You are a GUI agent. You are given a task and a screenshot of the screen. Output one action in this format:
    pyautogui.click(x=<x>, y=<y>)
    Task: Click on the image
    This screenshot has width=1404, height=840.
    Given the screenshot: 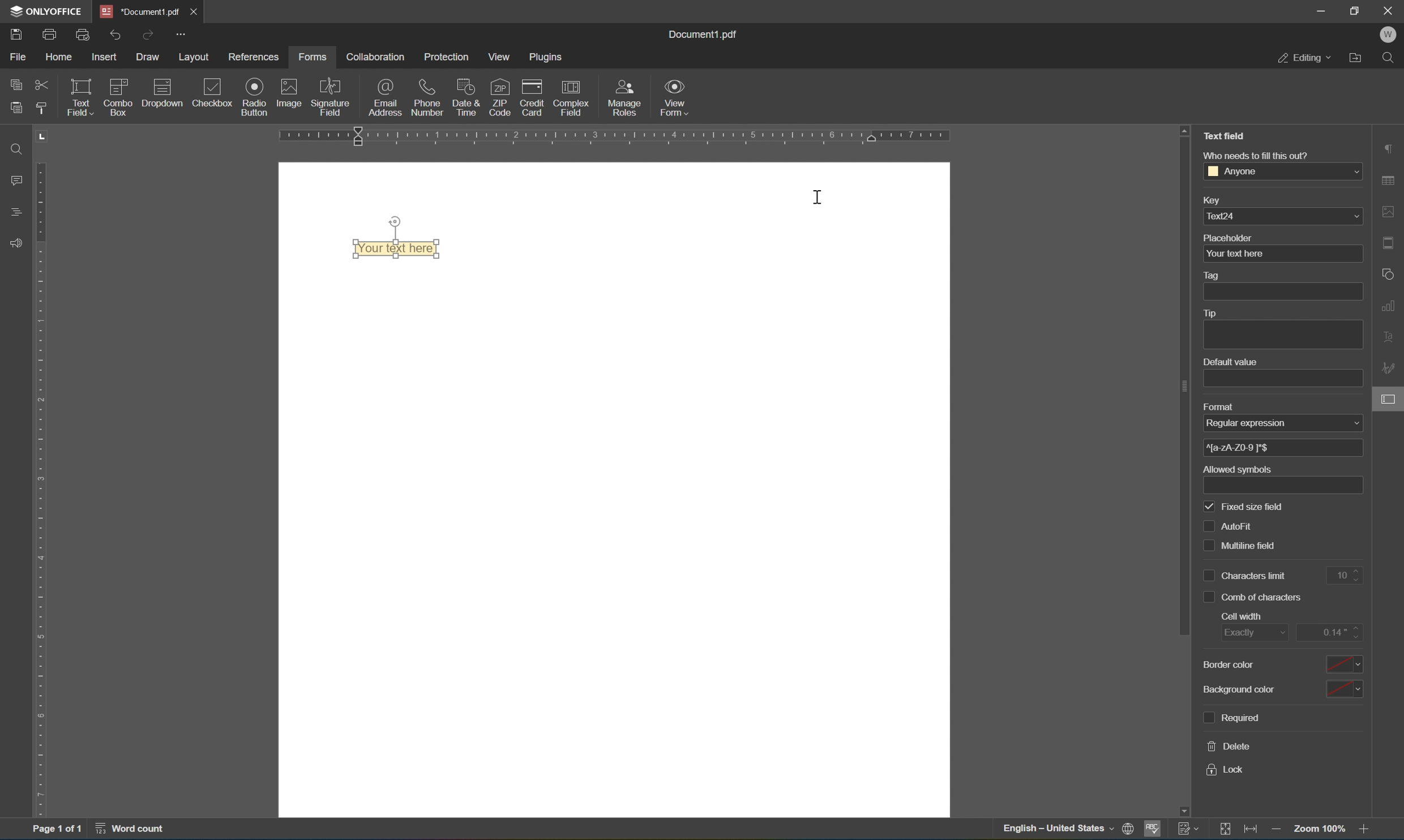 What is the action you would take?
    pyautogui.click(x=290, y=92)
    